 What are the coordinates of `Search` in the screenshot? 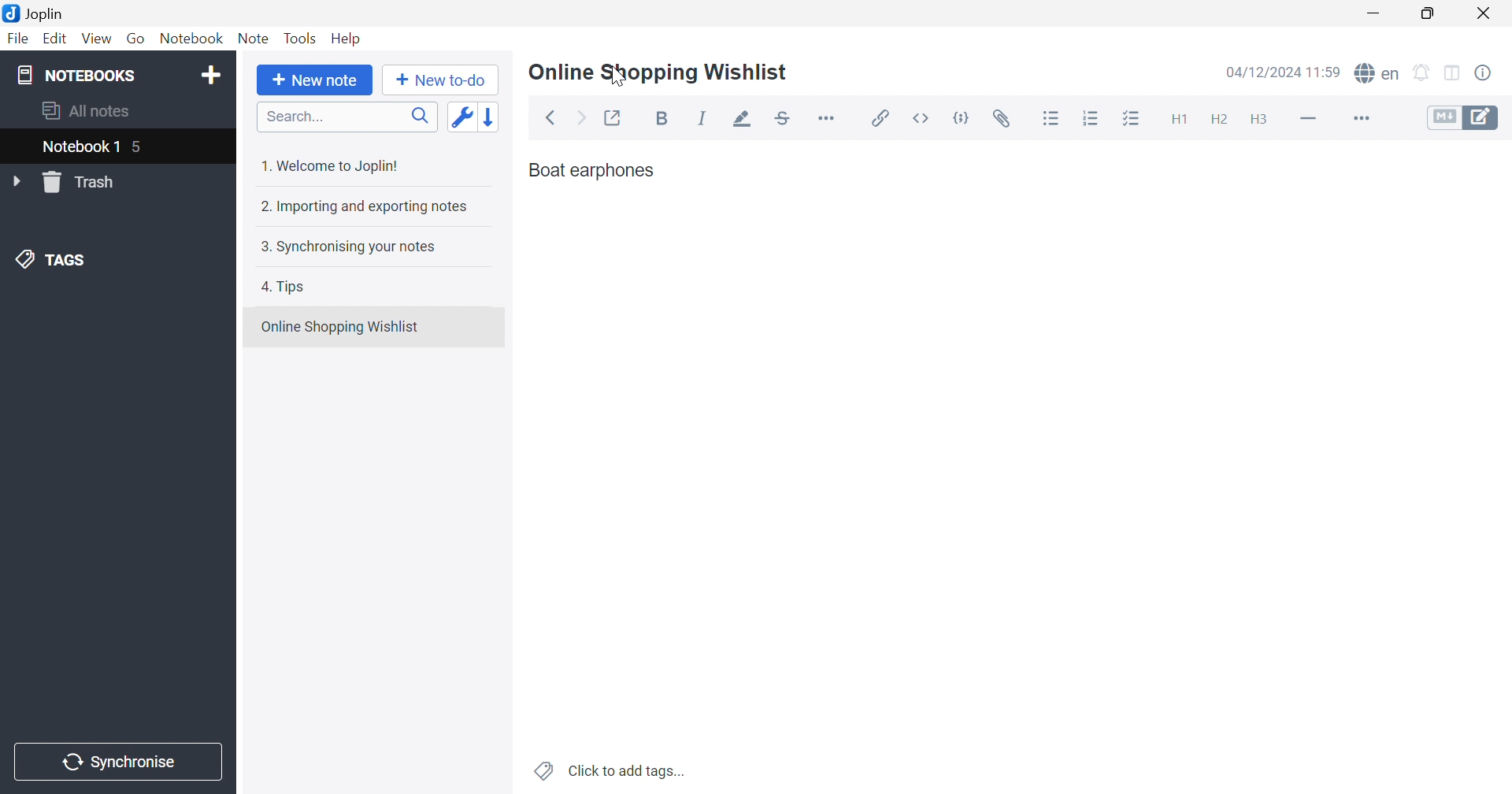 It's located at (348, 117).